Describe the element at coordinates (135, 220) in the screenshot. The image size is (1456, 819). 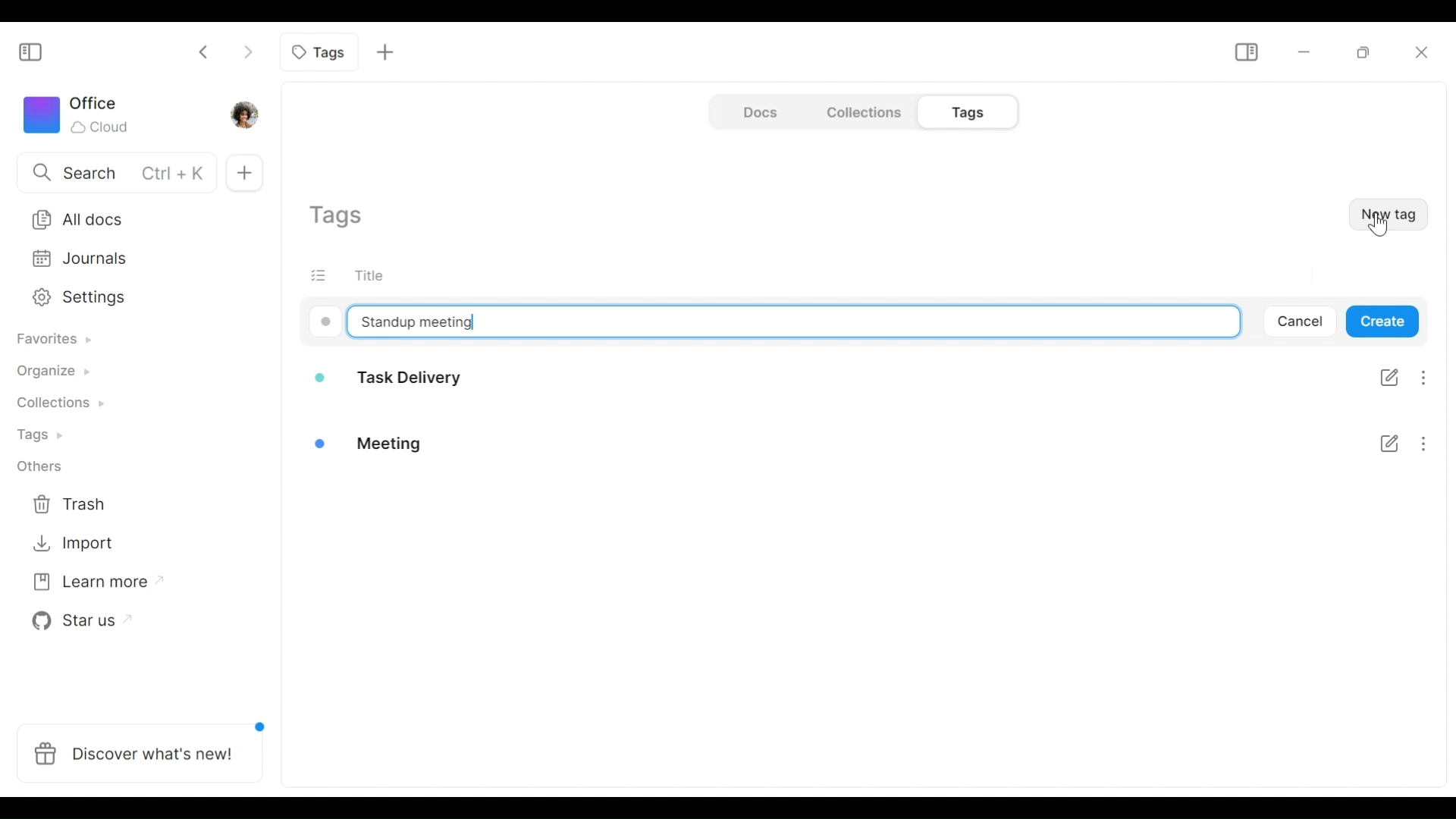
I see `All documents` at that location.